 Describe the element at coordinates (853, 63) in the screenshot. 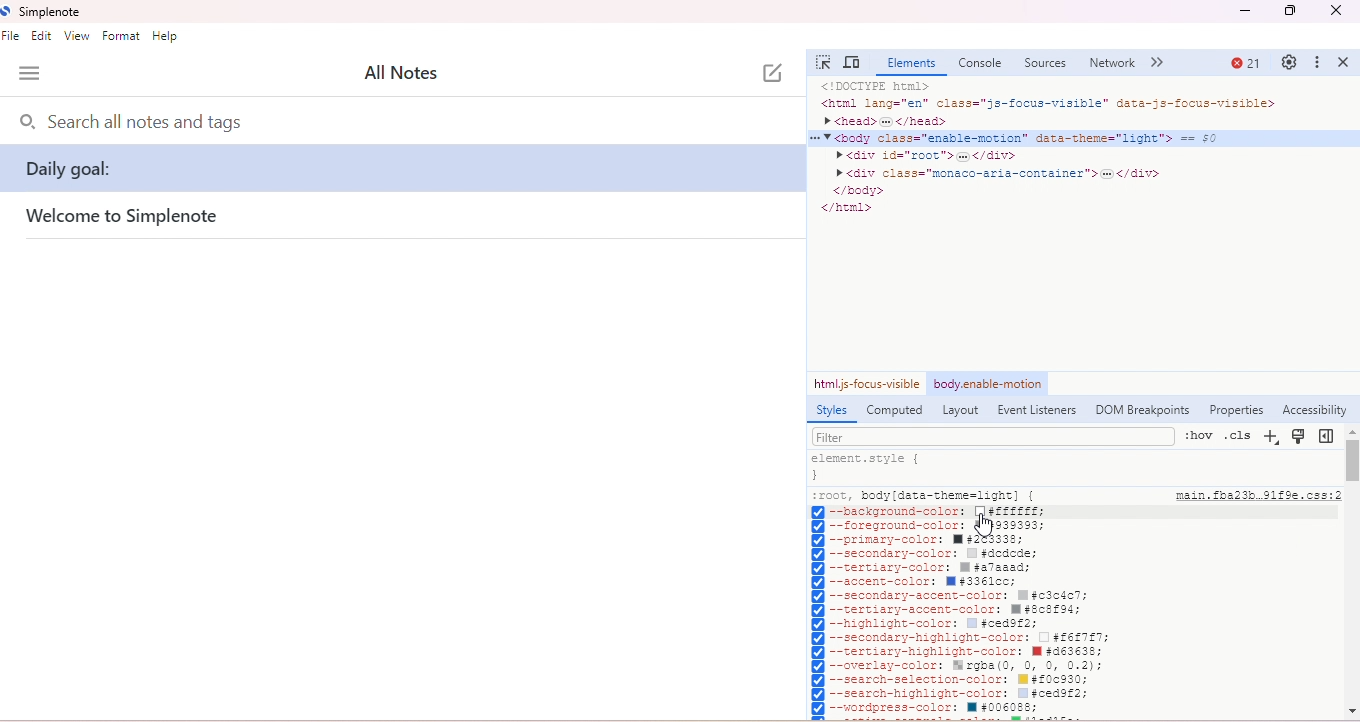

I see `toggle device toolbar` at that location.